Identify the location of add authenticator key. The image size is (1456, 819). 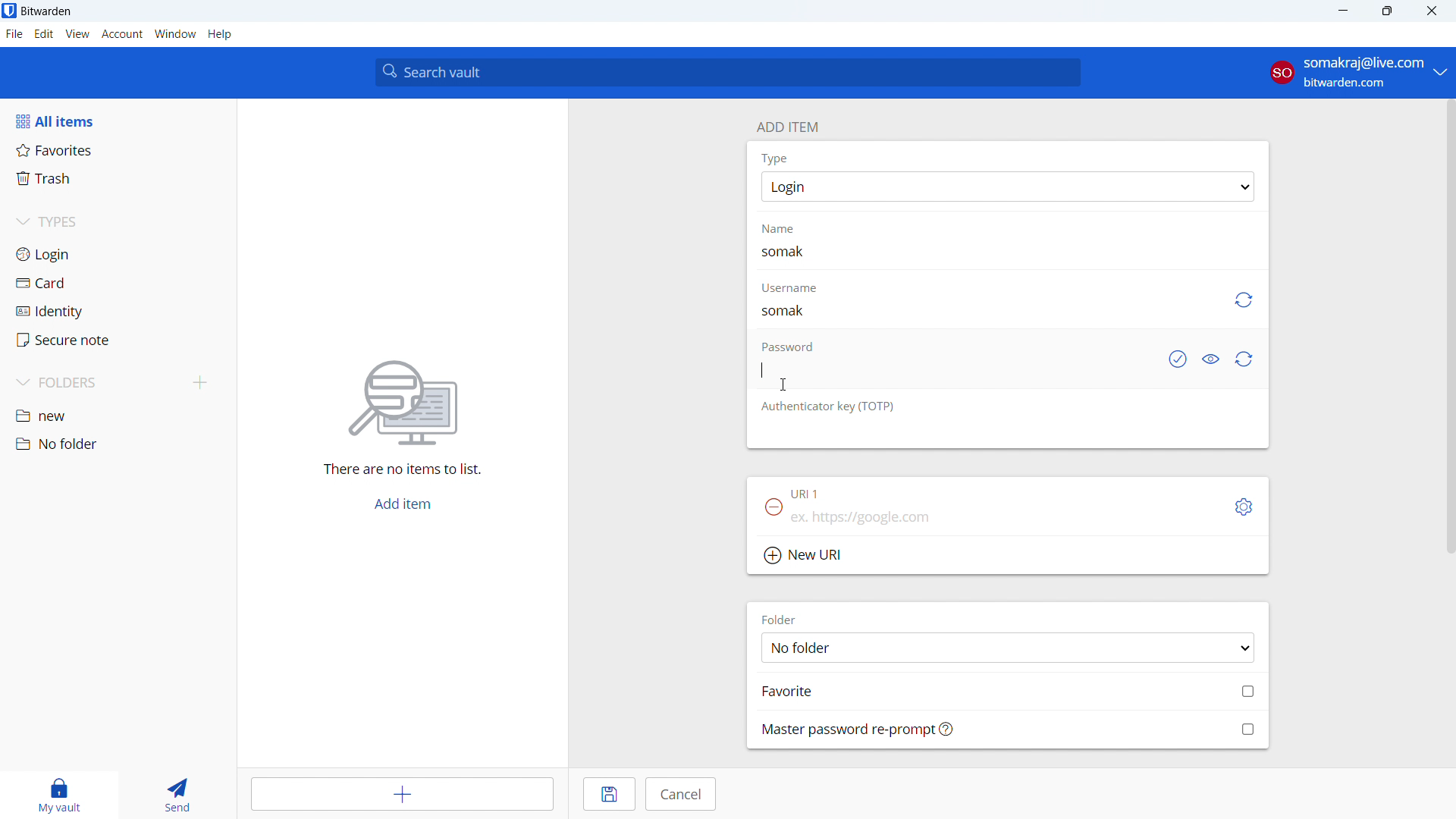
(1007, 435).